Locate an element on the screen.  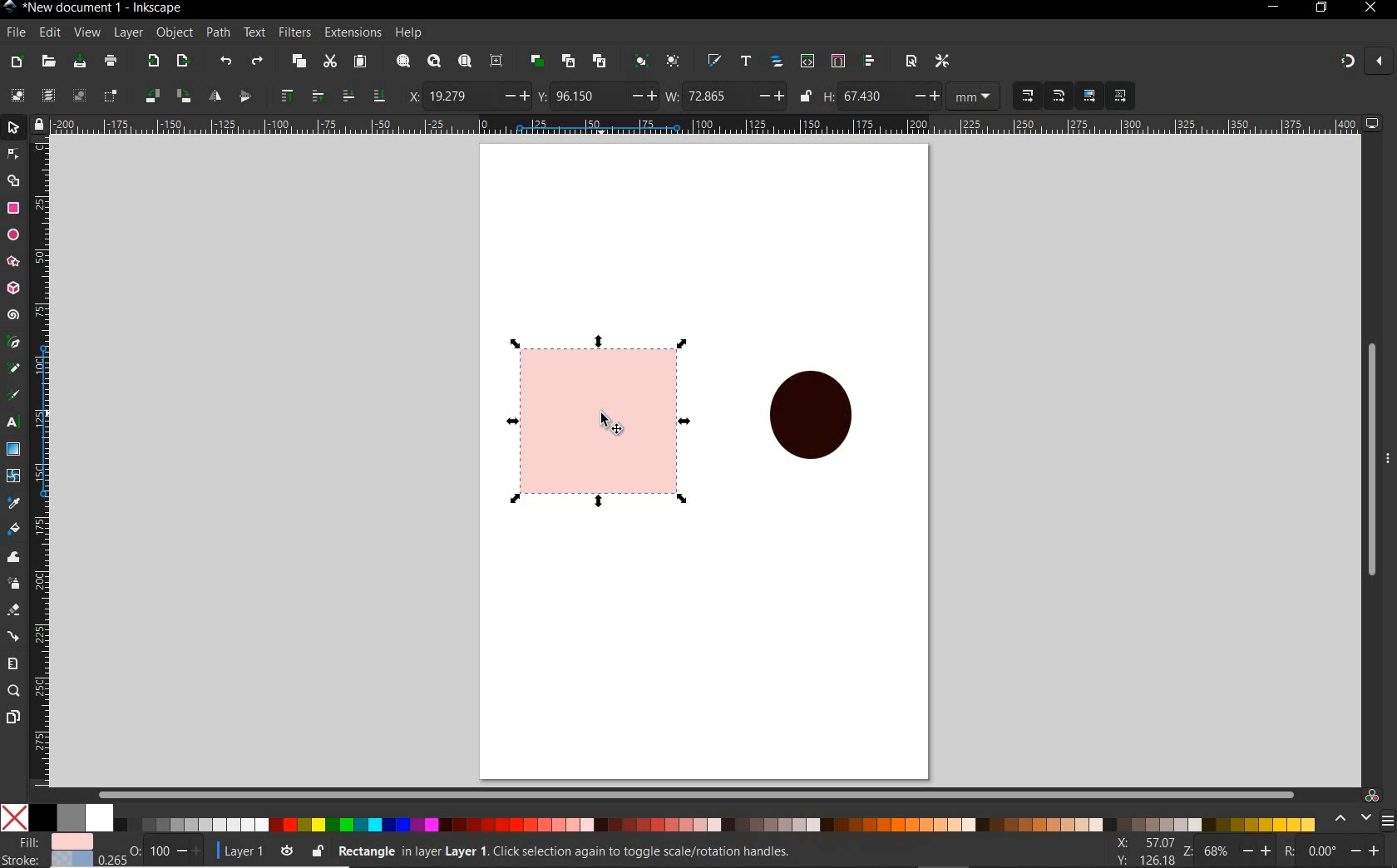
OPACITY is located at coordinates (151, 855).